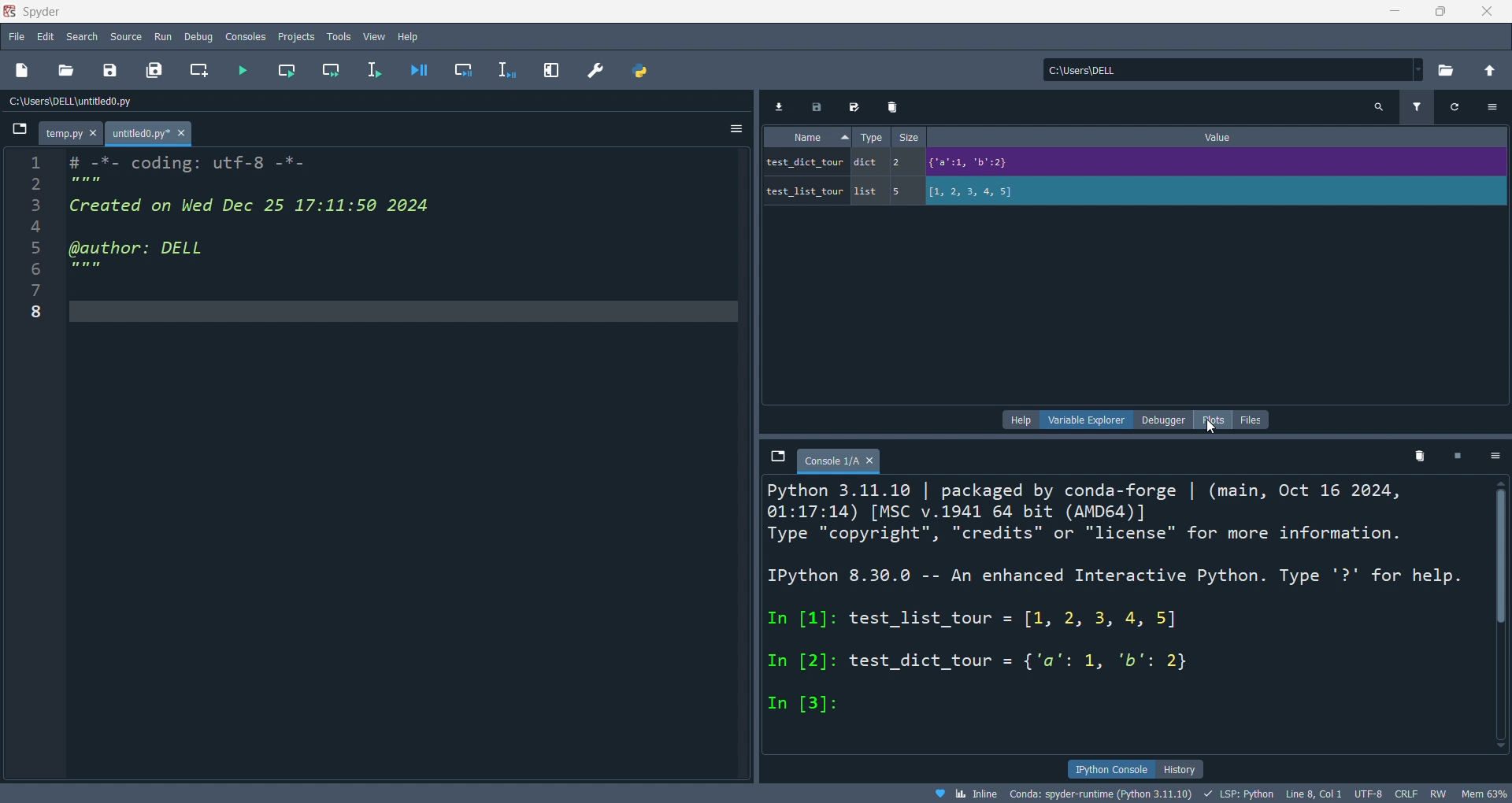  What do you see at coordinates (36, 462) in the screenshot?
I see `line number` at bounding box center [36, 462].